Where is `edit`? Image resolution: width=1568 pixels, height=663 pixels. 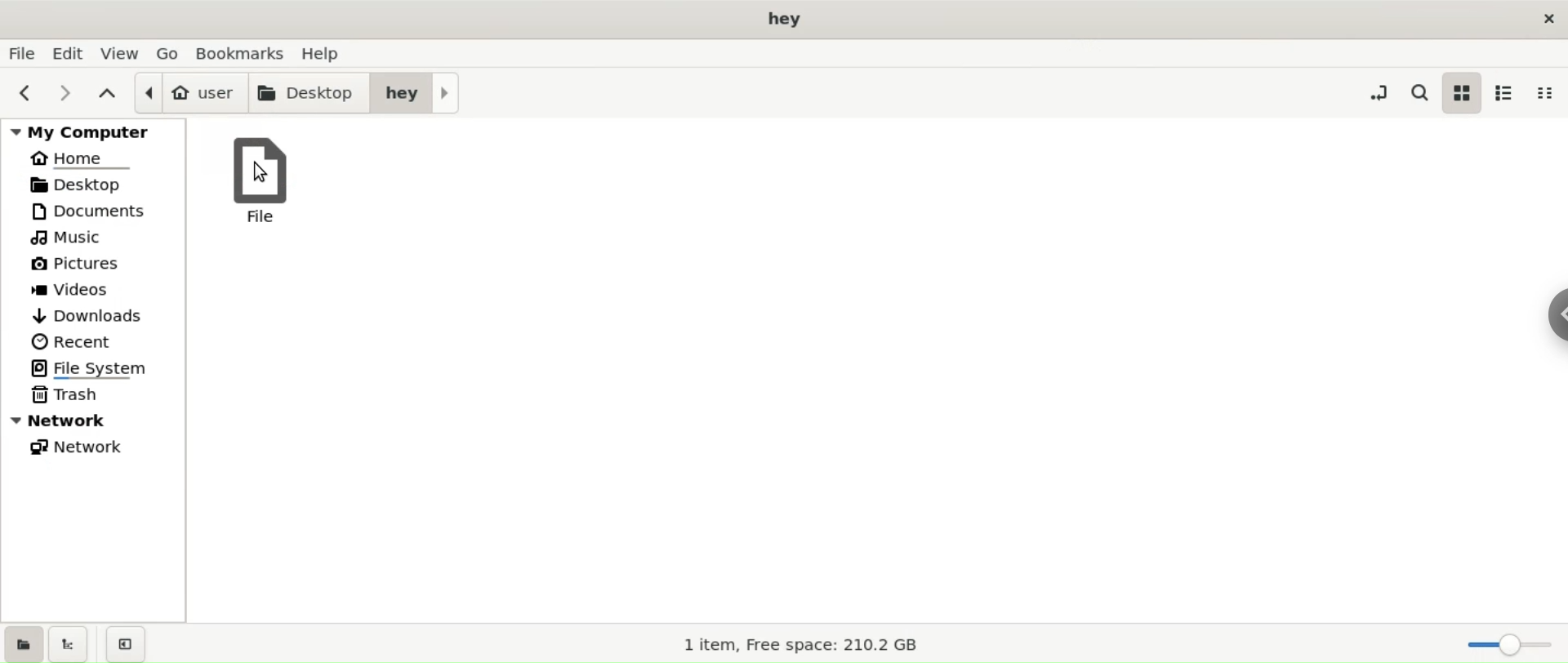
edit is located at coordinates (71, 54).